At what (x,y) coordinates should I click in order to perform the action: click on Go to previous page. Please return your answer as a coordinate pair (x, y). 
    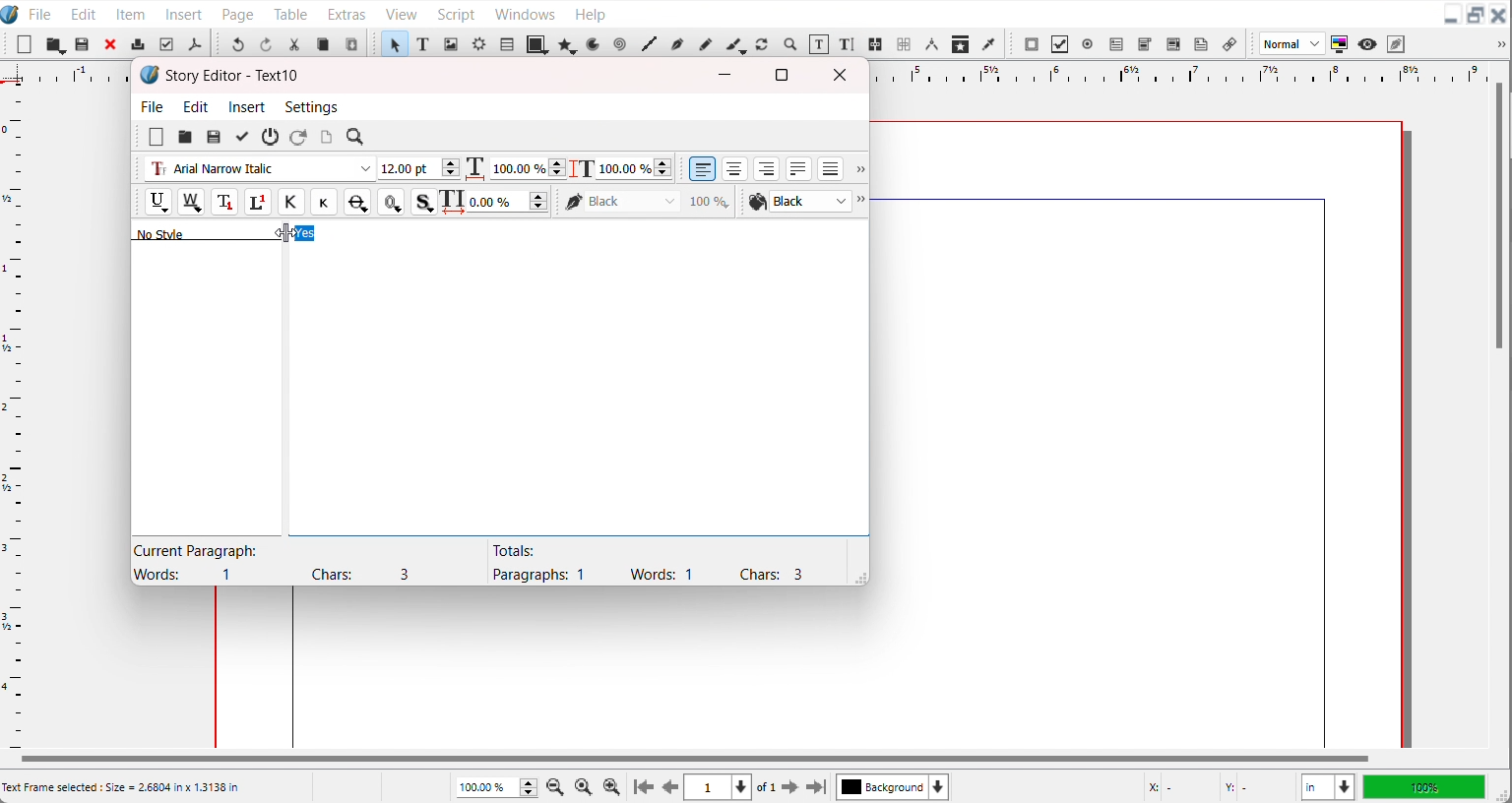
    Looking at the image, I should click on (670, 787).